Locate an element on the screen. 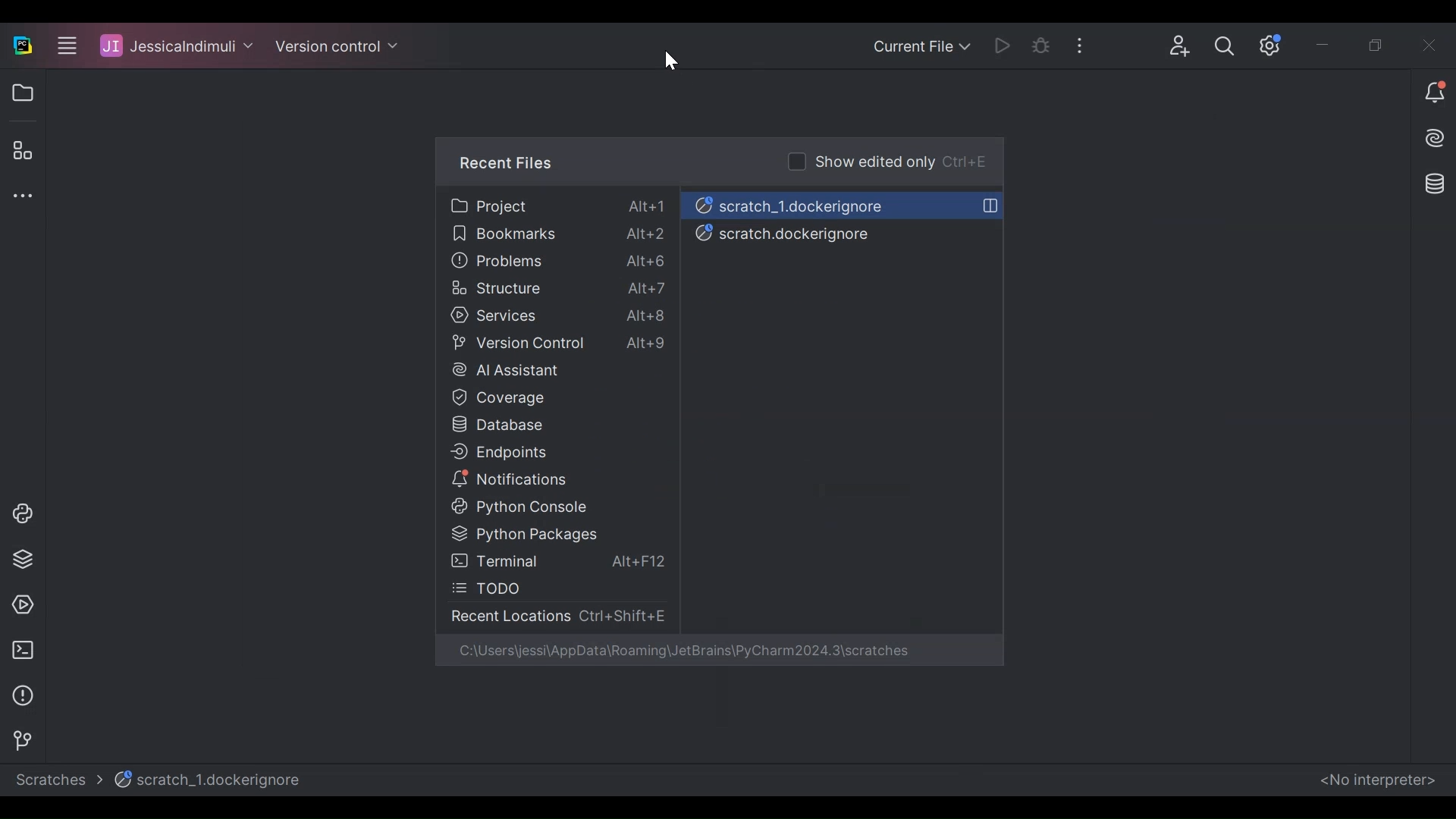  Python Services is located at coordinates (21, 560).